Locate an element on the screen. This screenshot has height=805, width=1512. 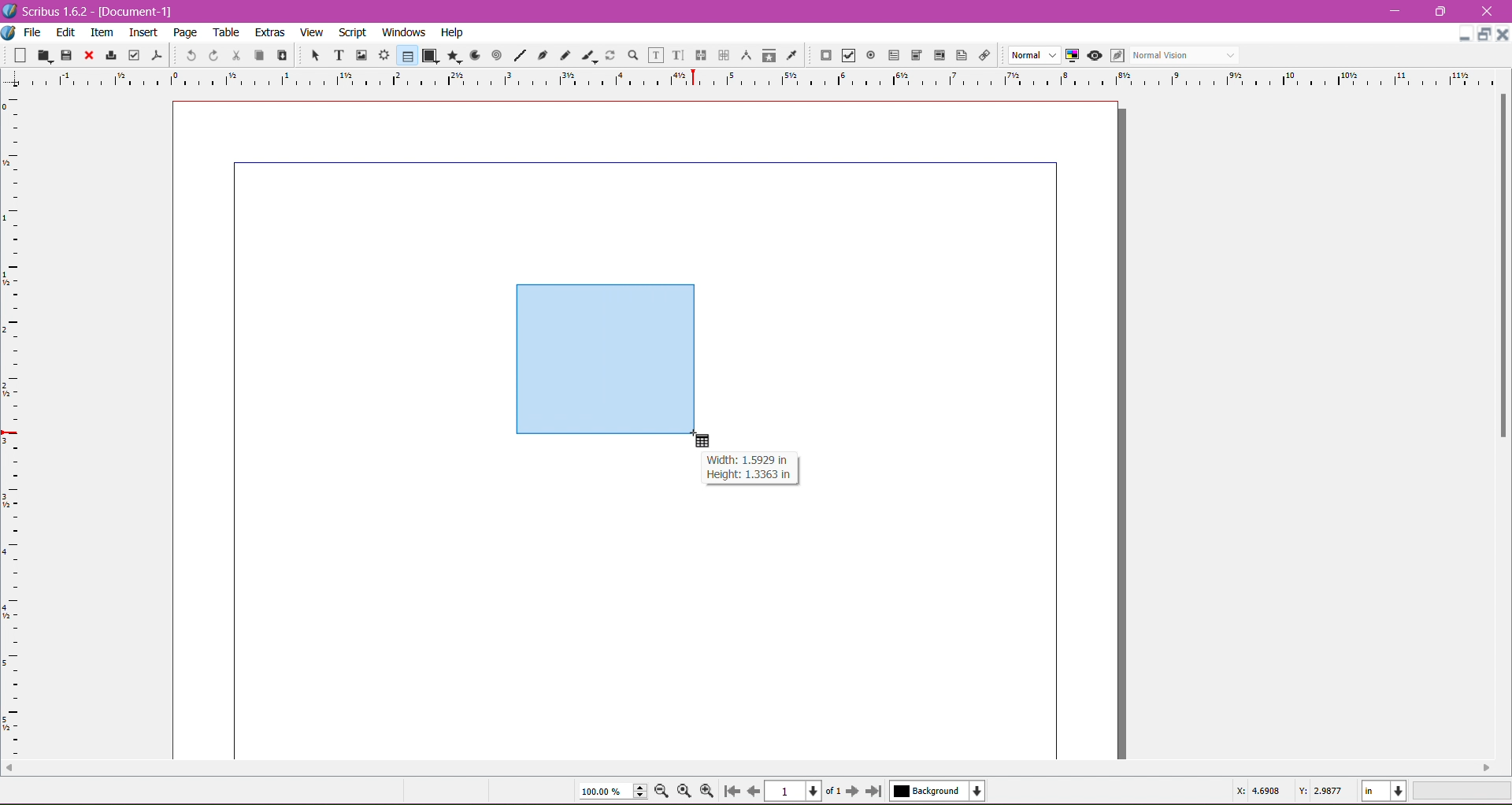
X: 4.6908 is located at coordinates (1258, 792).